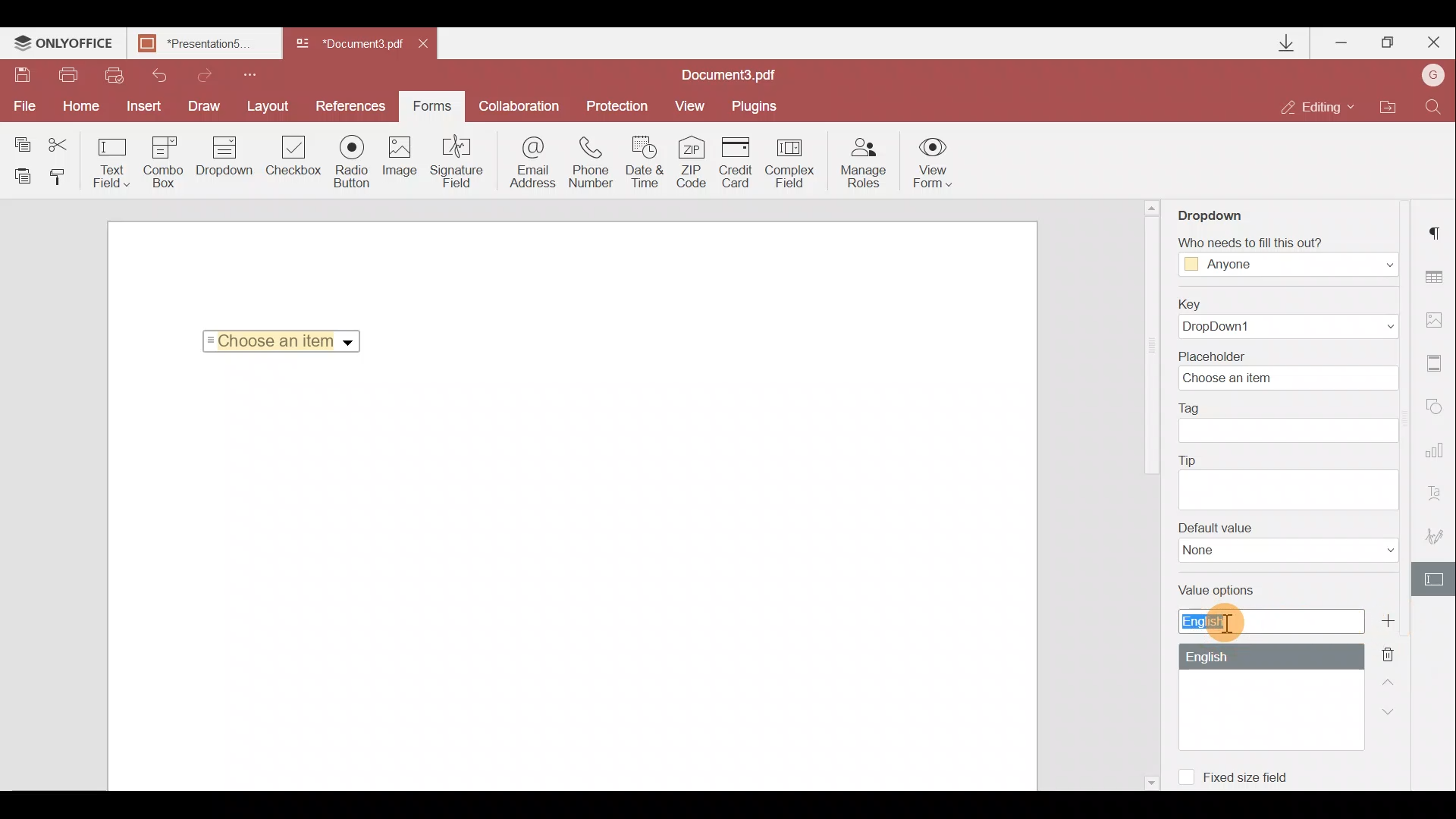 Image resolution: width=1456 pixels, height=819 pixels. What do you see at coordinates (1393, 711) in the screenshot?
I see `Down` at bounding box center [1393, 711].